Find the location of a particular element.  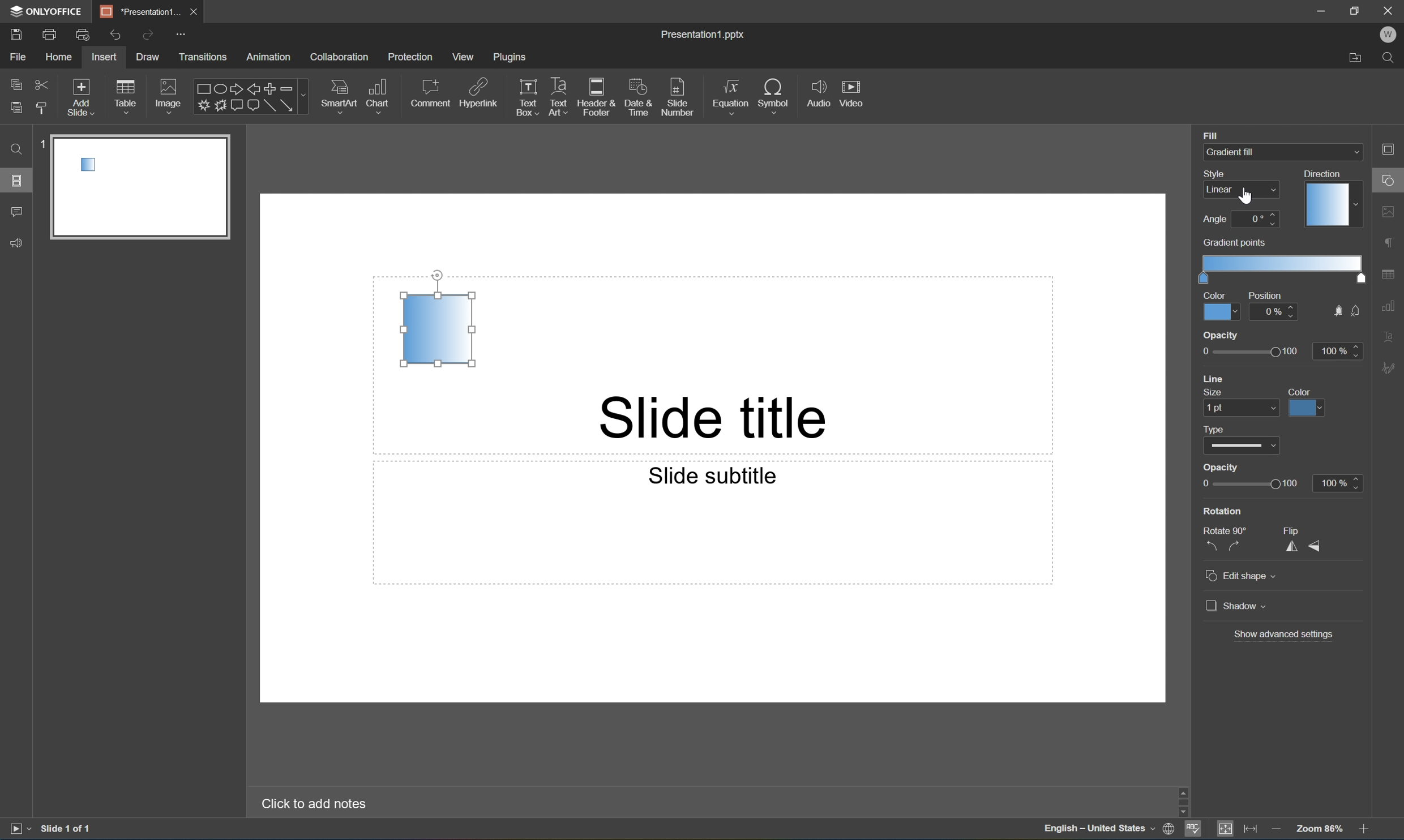

Paste is located at coordinates (16, 108).